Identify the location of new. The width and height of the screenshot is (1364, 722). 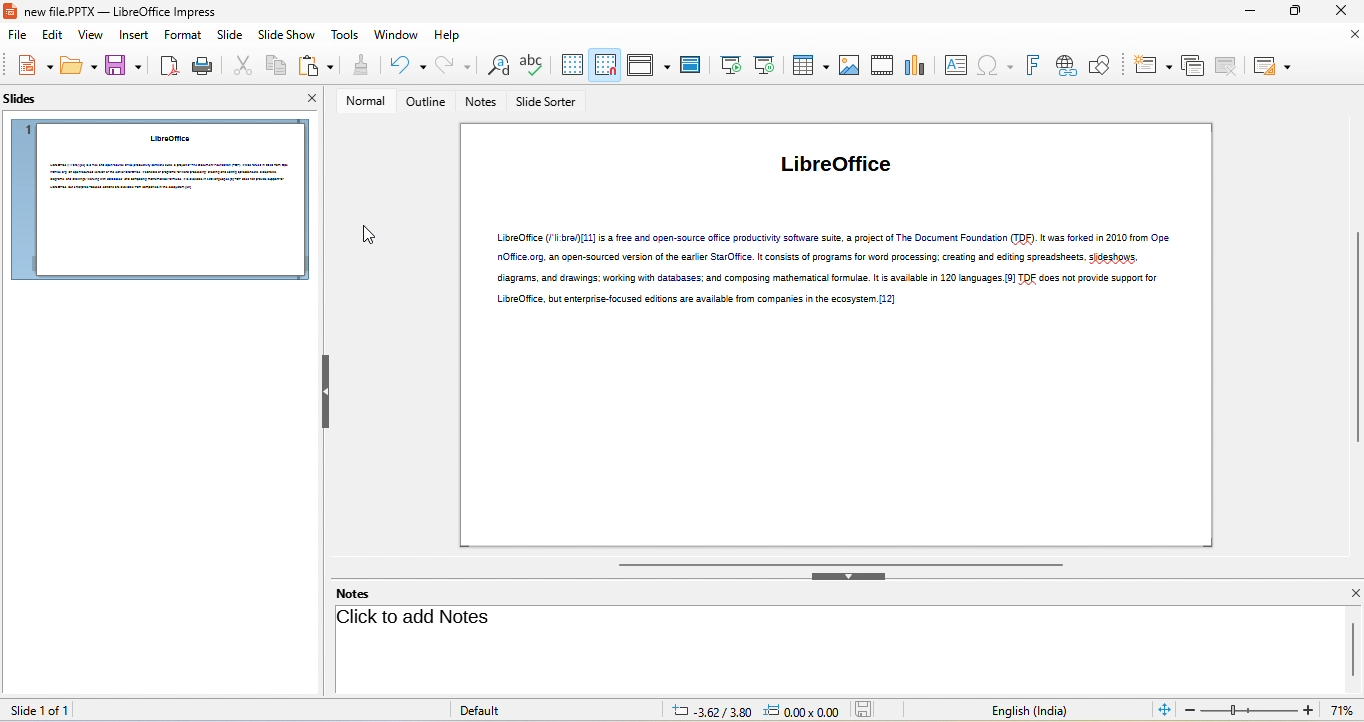
(35, 65).